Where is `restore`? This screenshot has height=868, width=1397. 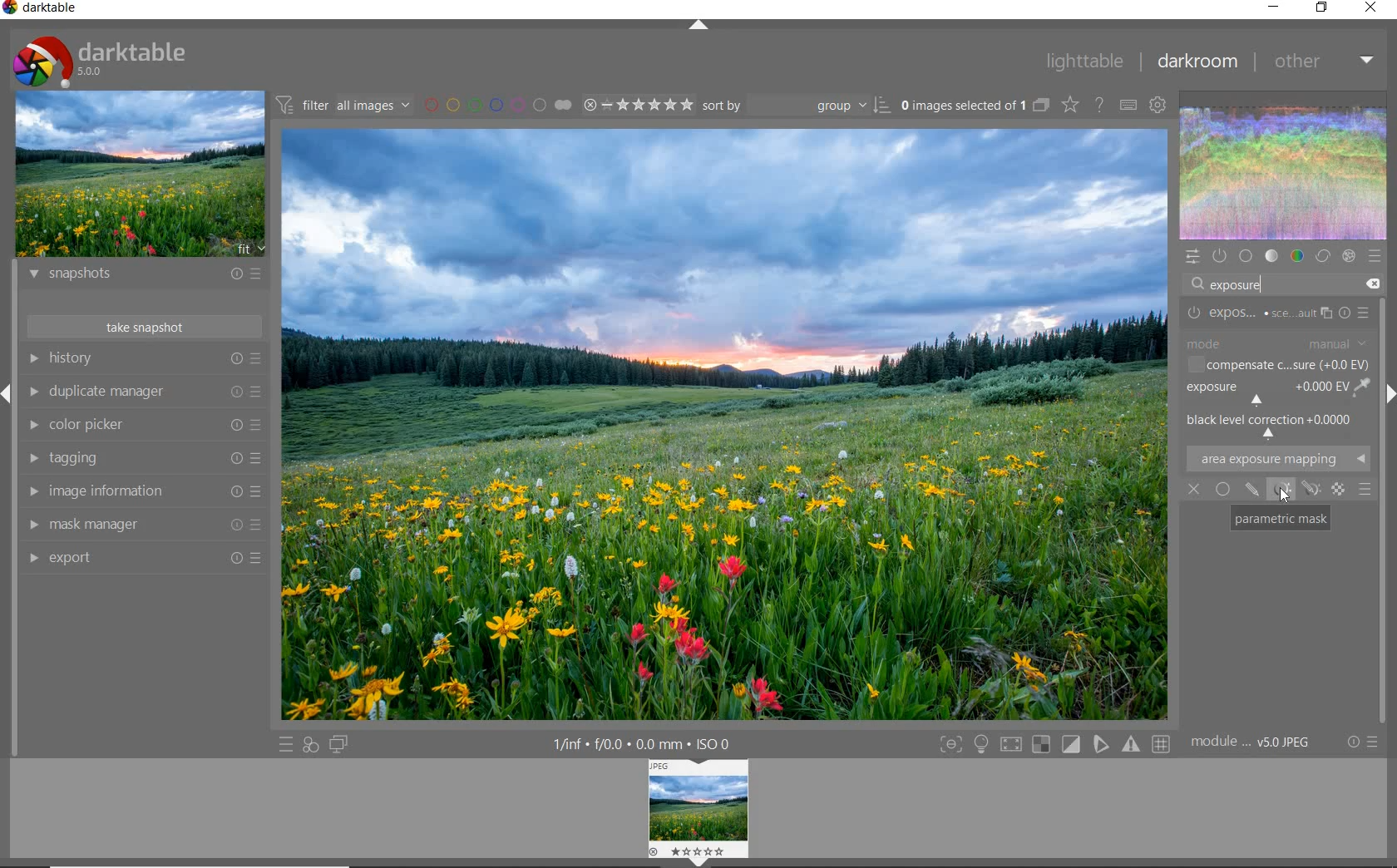
restore is located at coordinates (1324, 8).